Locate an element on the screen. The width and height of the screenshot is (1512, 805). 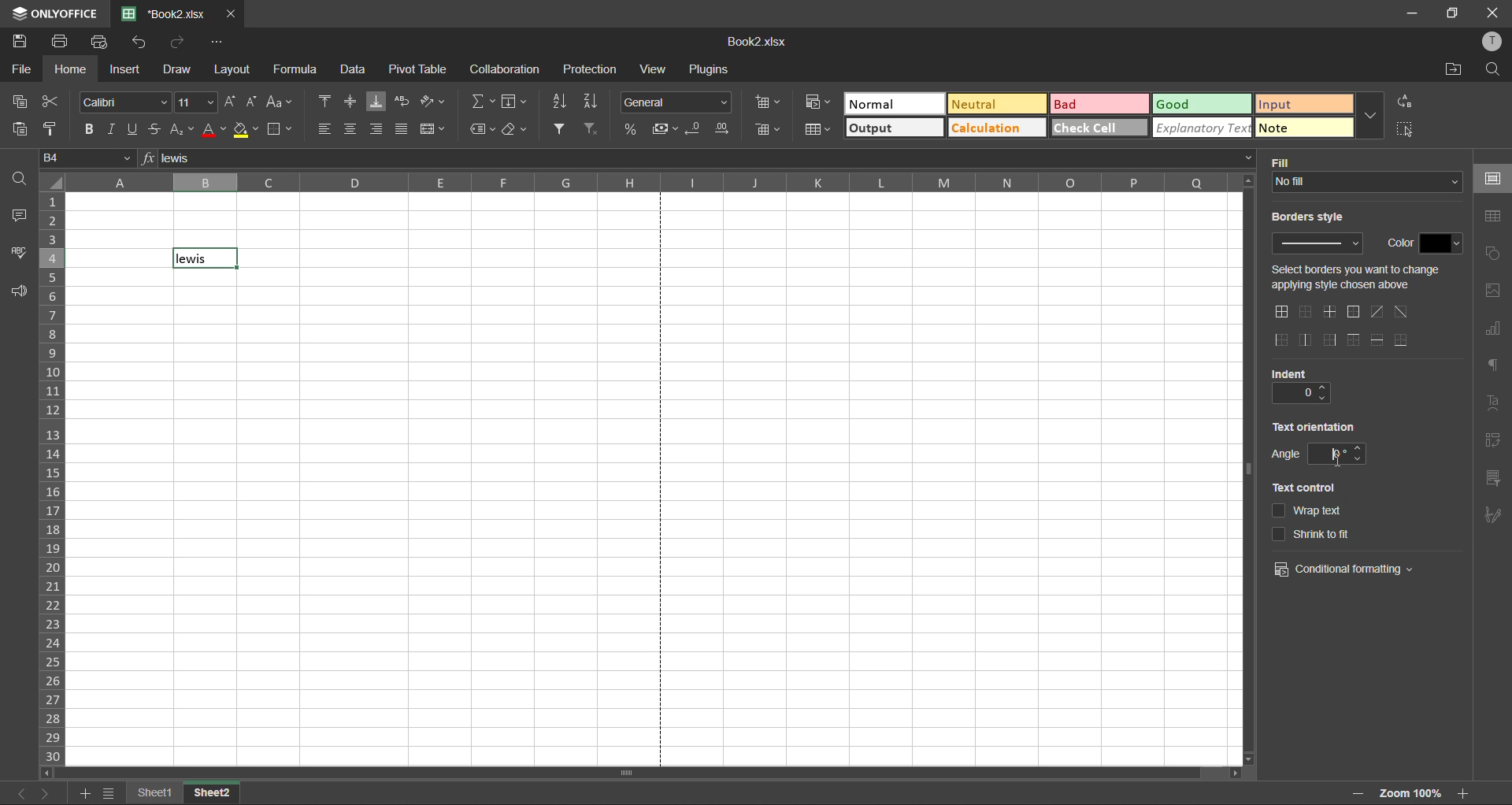
top border only is located at coordinates (1356, 339).